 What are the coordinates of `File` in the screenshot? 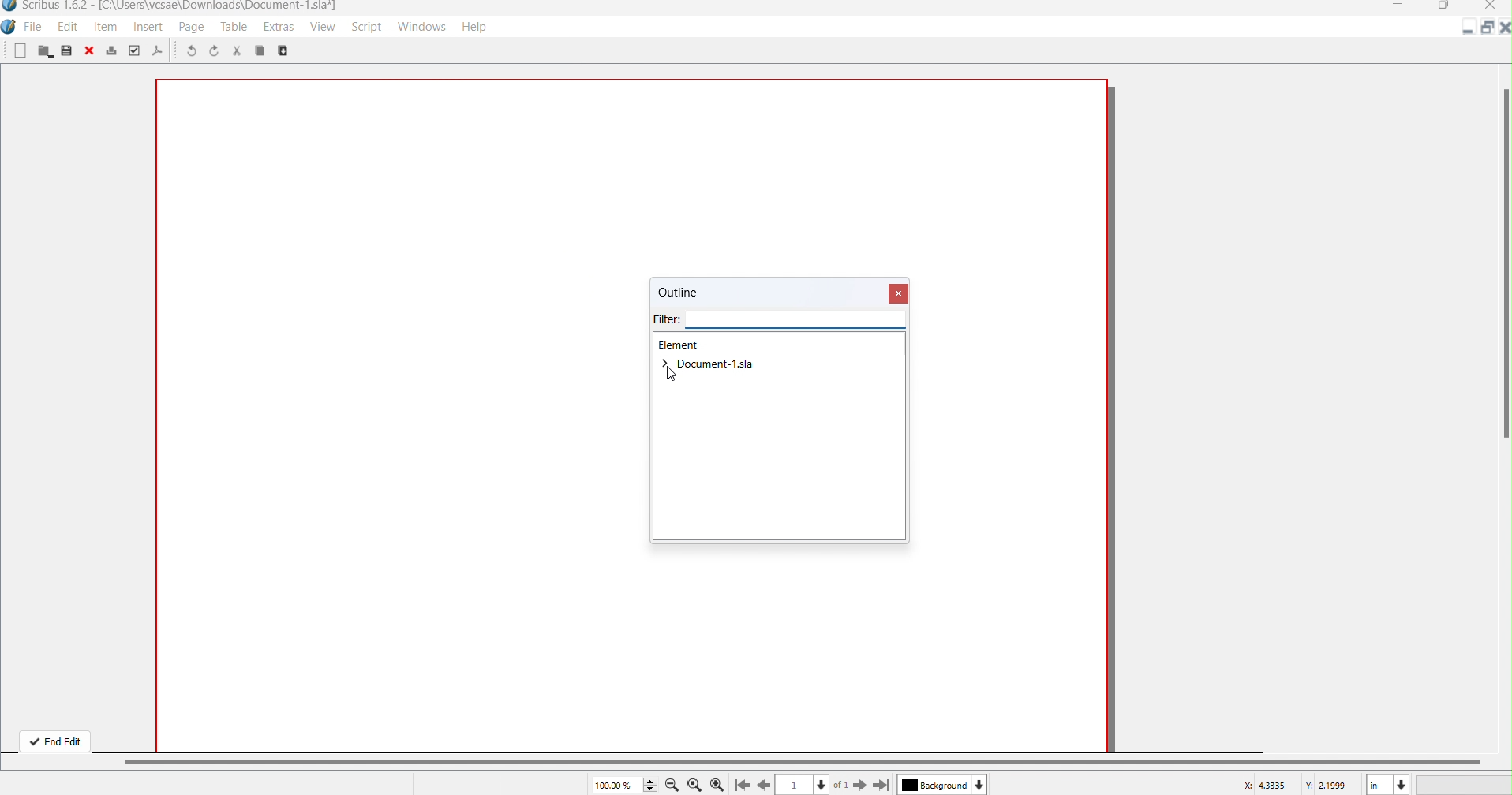 It's located at (35, 28).